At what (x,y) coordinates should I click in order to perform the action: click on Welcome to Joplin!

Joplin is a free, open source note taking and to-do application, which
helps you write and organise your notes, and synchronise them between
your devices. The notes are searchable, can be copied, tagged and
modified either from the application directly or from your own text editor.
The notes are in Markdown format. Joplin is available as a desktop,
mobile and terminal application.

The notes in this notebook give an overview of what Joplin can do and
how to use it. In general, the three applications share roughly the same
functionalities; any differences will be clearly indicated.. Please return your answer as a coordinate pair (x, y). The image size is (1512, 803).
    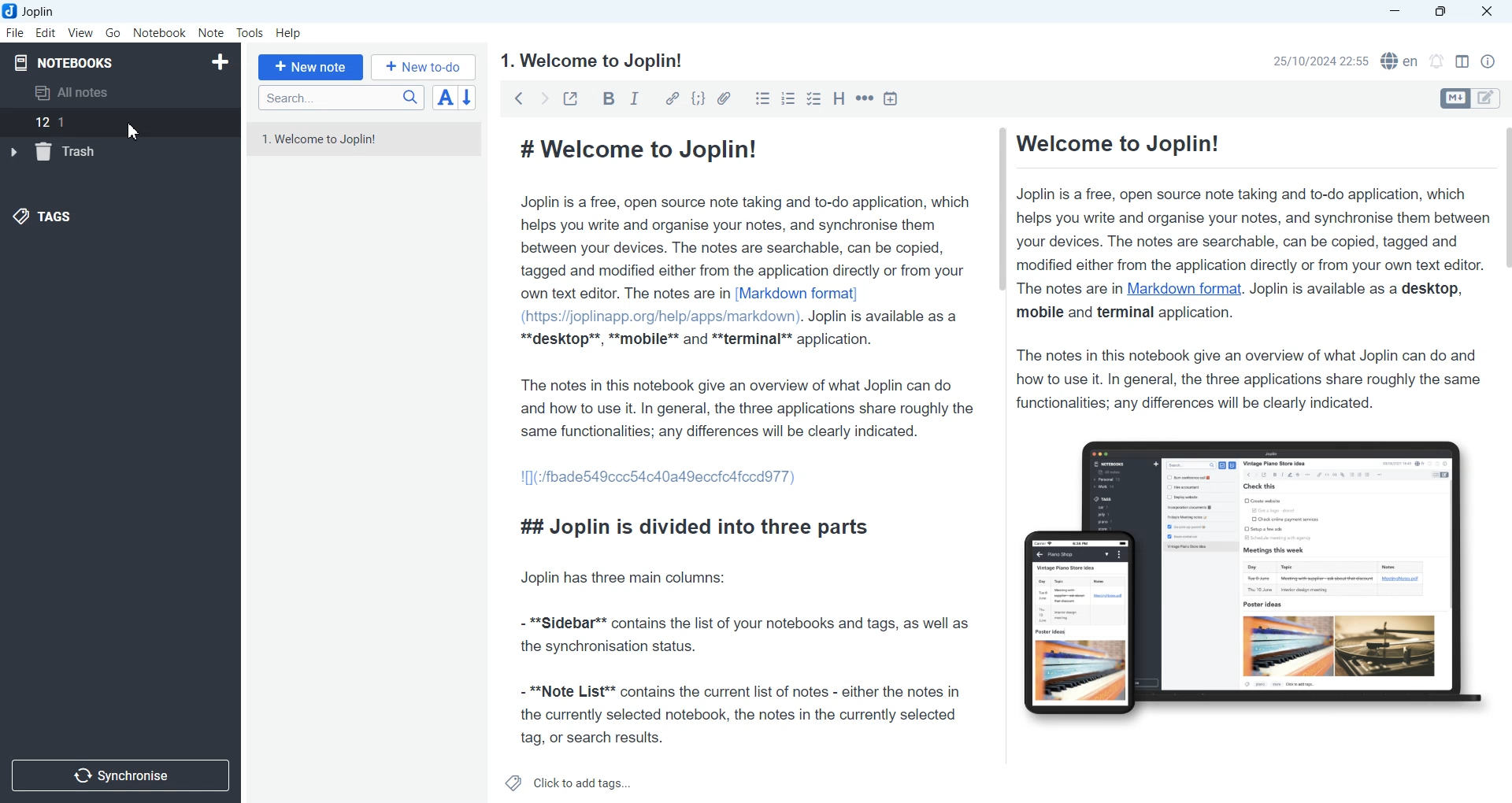
    Looking at the image, I should click on (1247, 271).